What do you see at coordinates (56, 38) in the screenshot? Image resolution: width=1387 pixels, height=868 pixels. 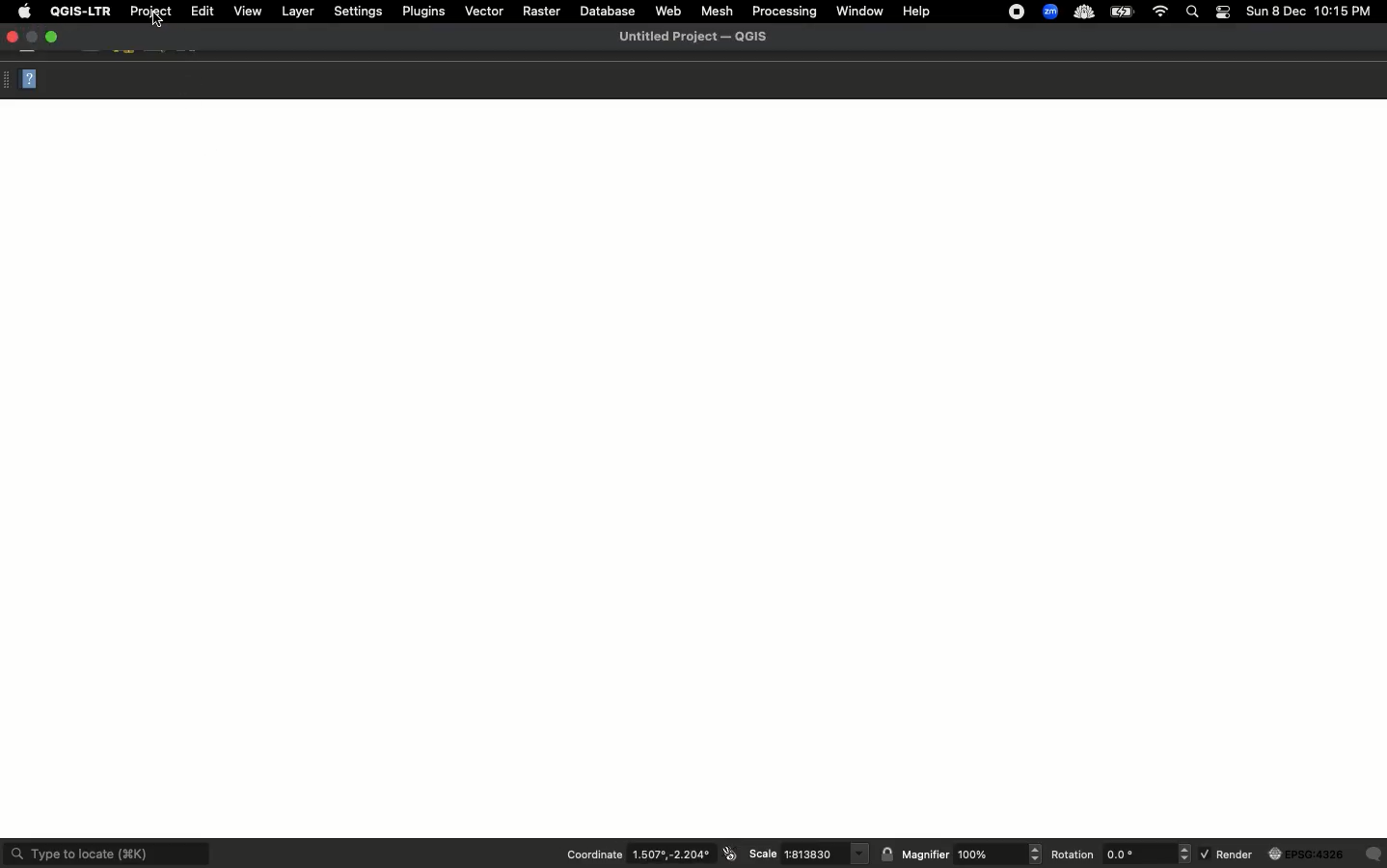 I see `Maximize` at bounding box center [56, 38].